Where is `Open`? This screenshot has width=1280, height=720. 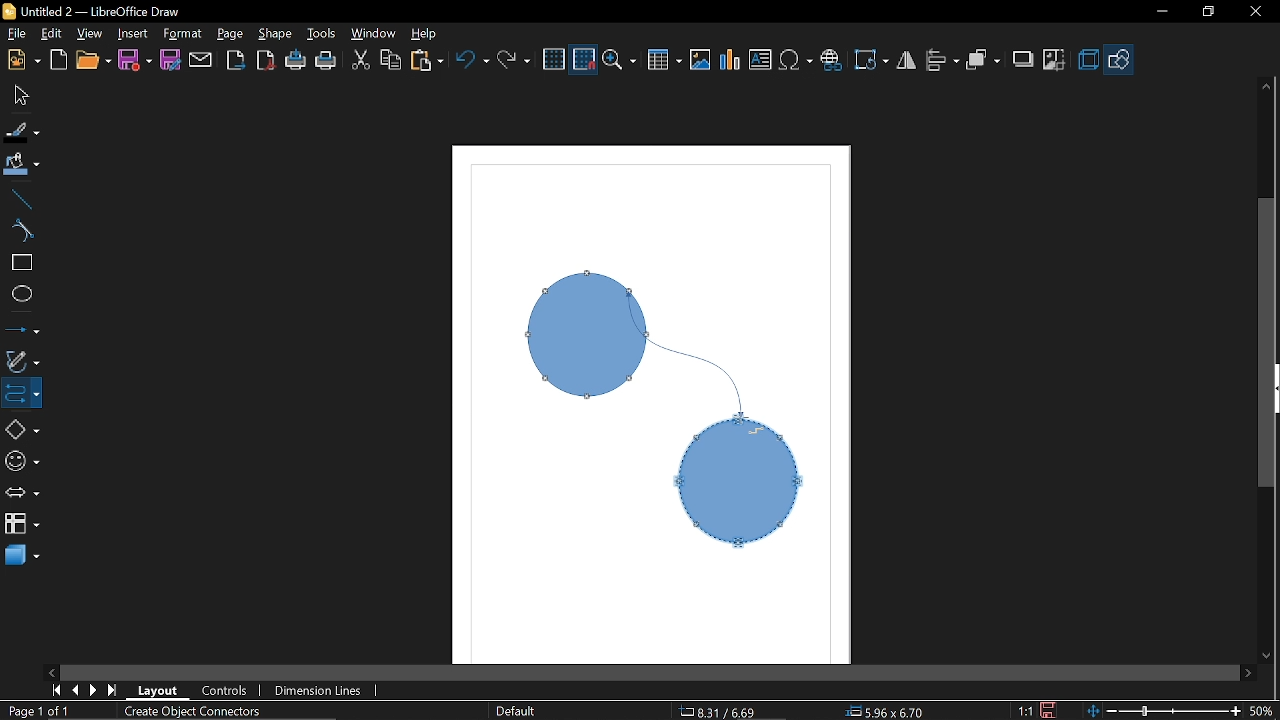
Open is located at coordinates (93, 60).